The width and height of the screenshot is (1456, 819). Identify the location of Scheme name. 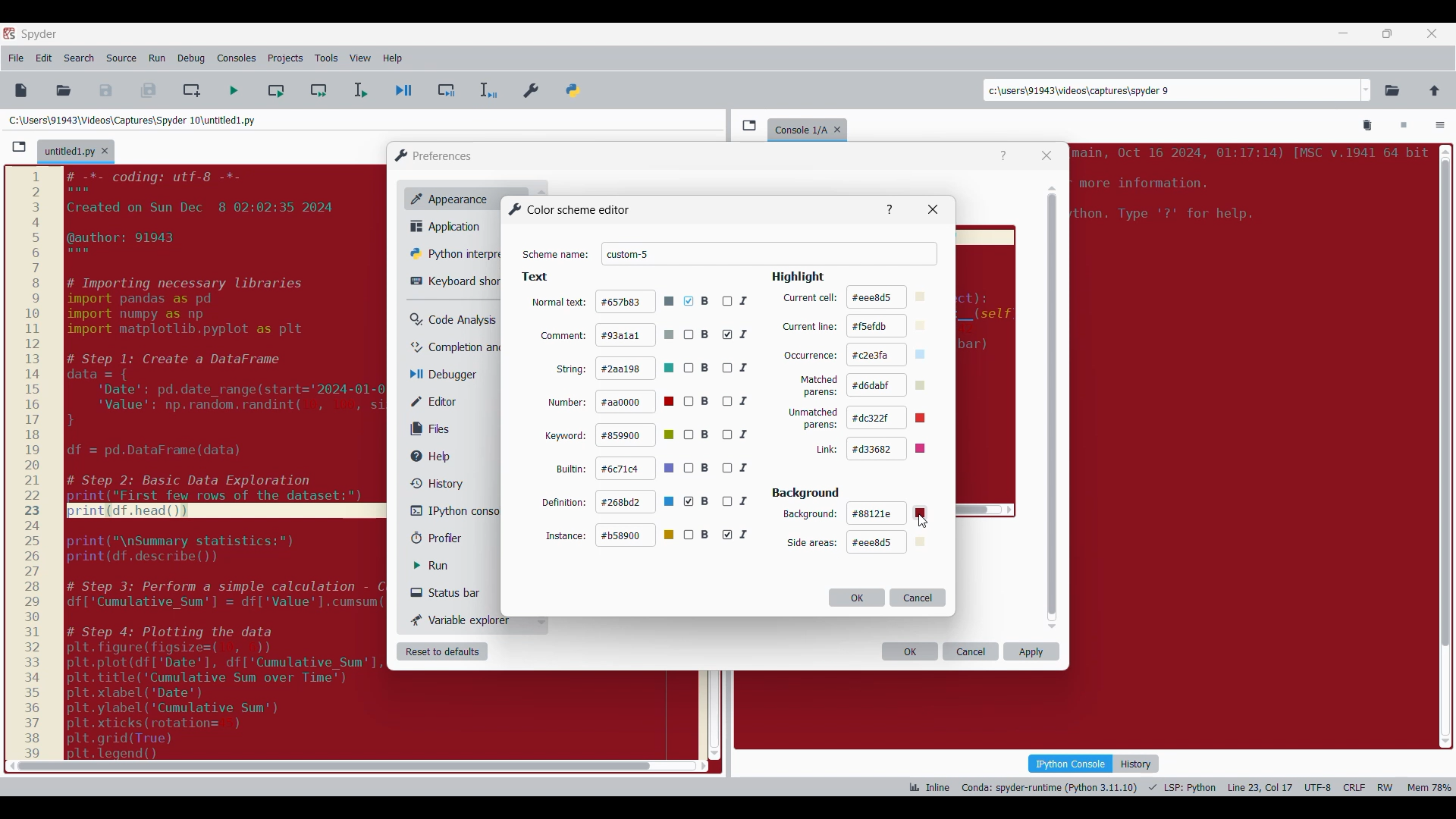
(770, 254).